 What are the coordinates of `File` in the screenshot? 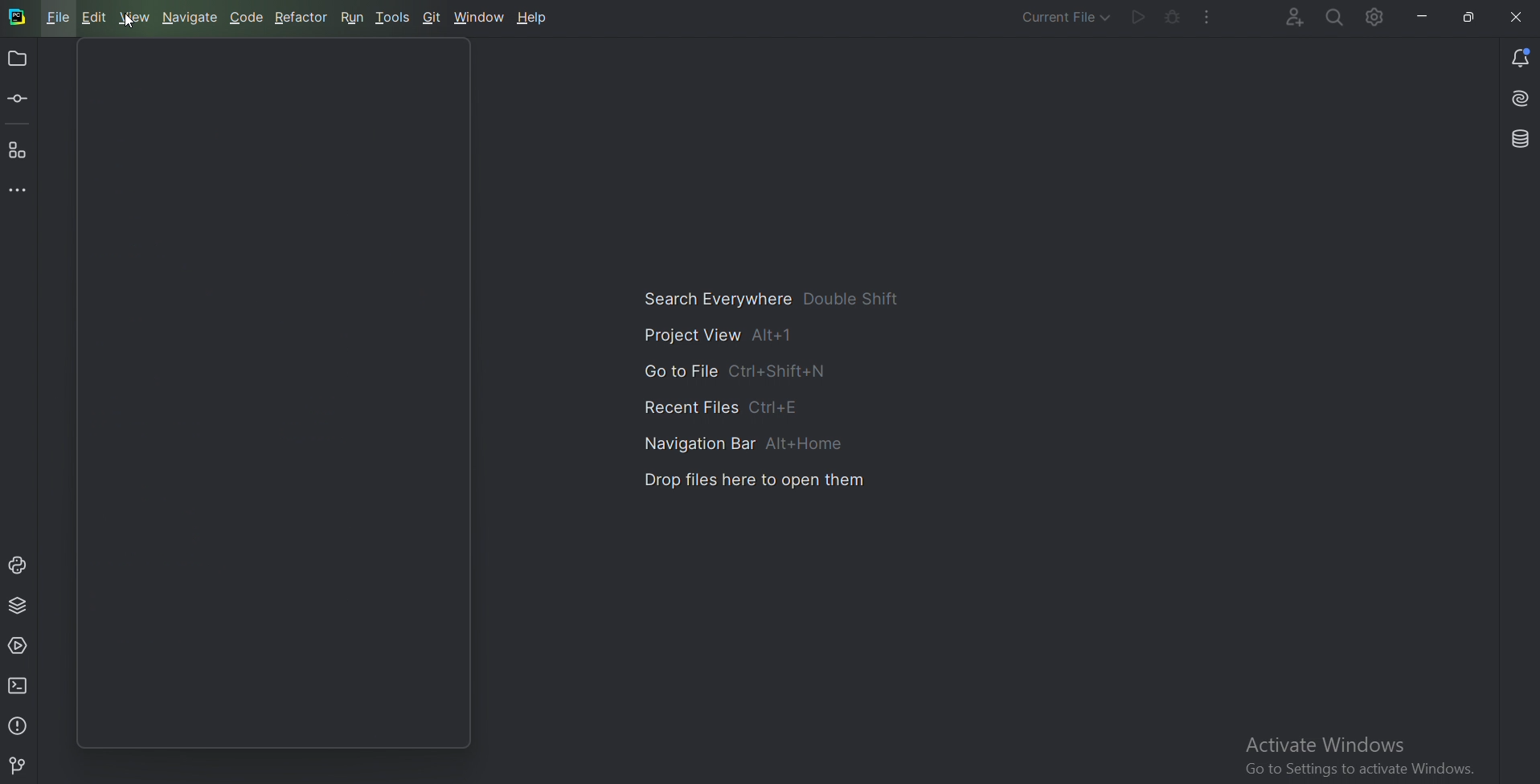 It's located at (56, 17).